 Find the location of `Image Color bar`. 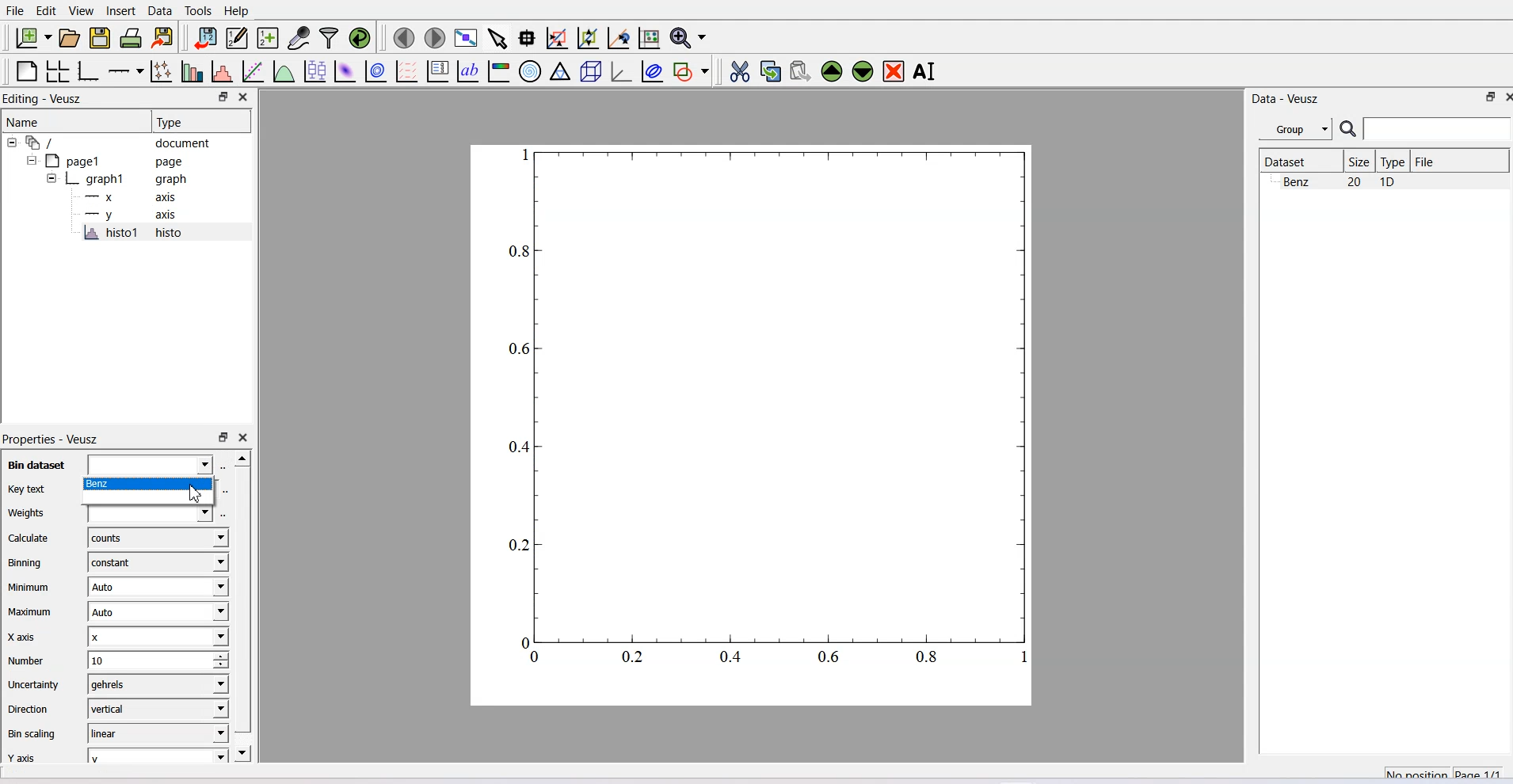

Image Color bar is located at coordinates (499, 72).